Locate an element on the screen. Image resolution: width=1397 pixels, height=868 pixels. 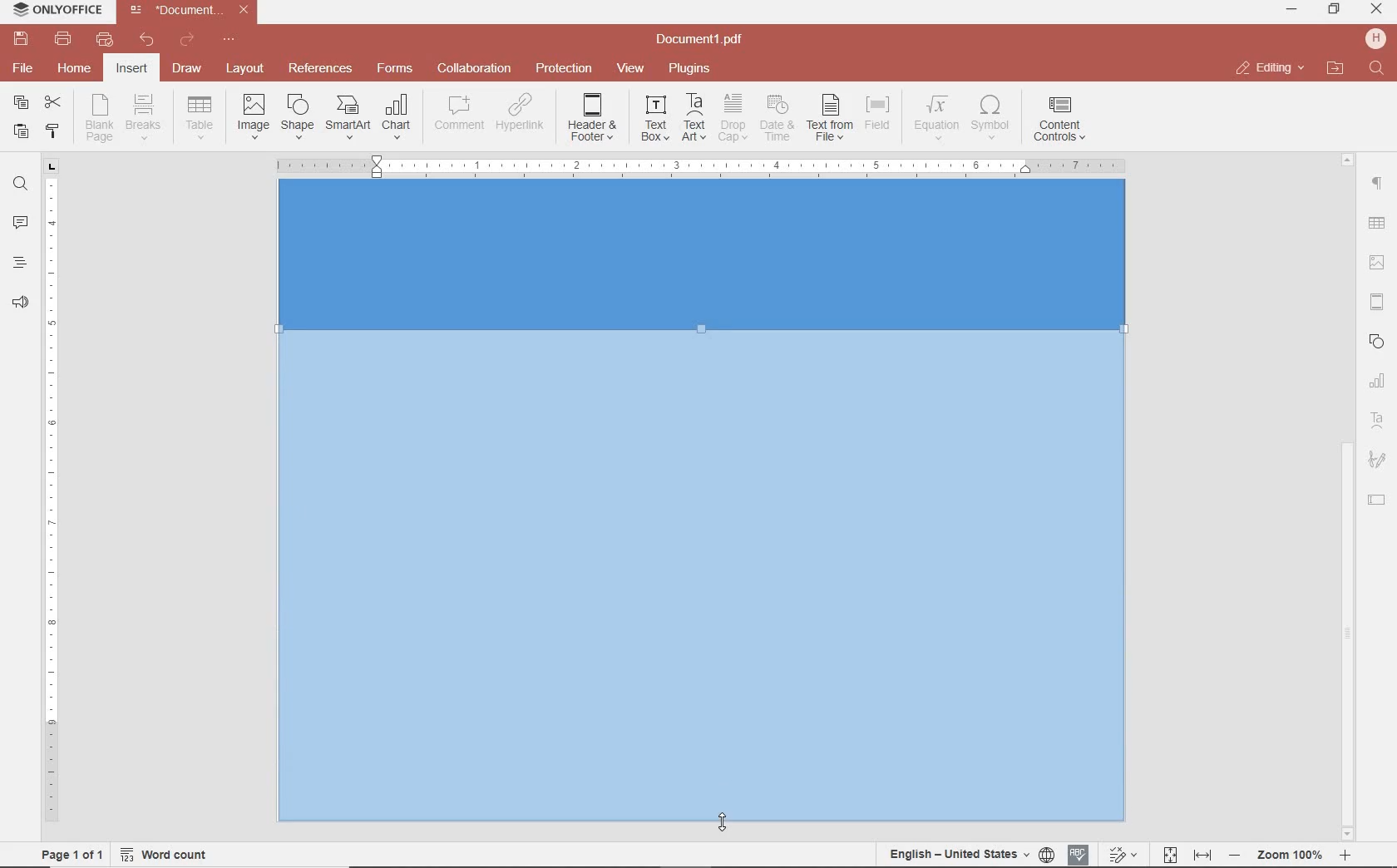
hp is located at coordinates (1379, 38).